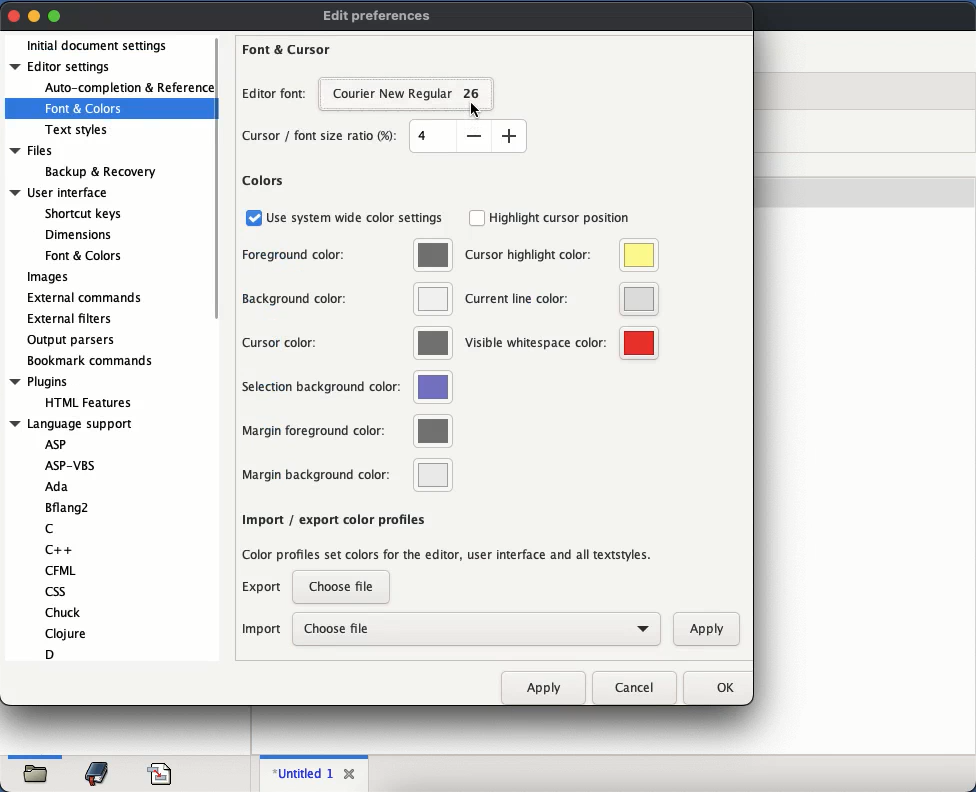 Image resolution: width=976 pixels, height=792 pixels. I want to click on maximize, so click(56, 15).